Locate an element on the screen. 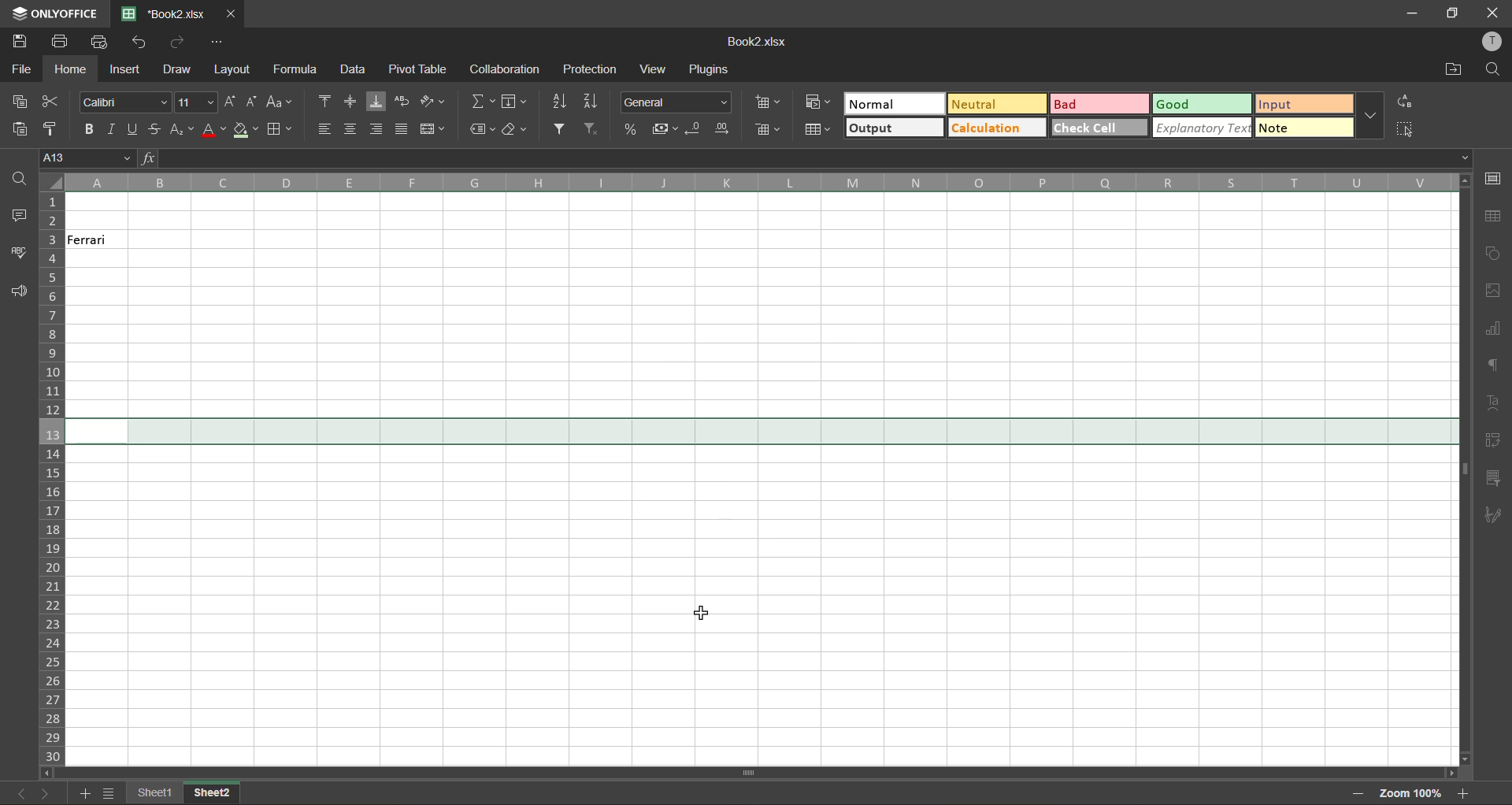  redo is located at coordinates (180, 43).